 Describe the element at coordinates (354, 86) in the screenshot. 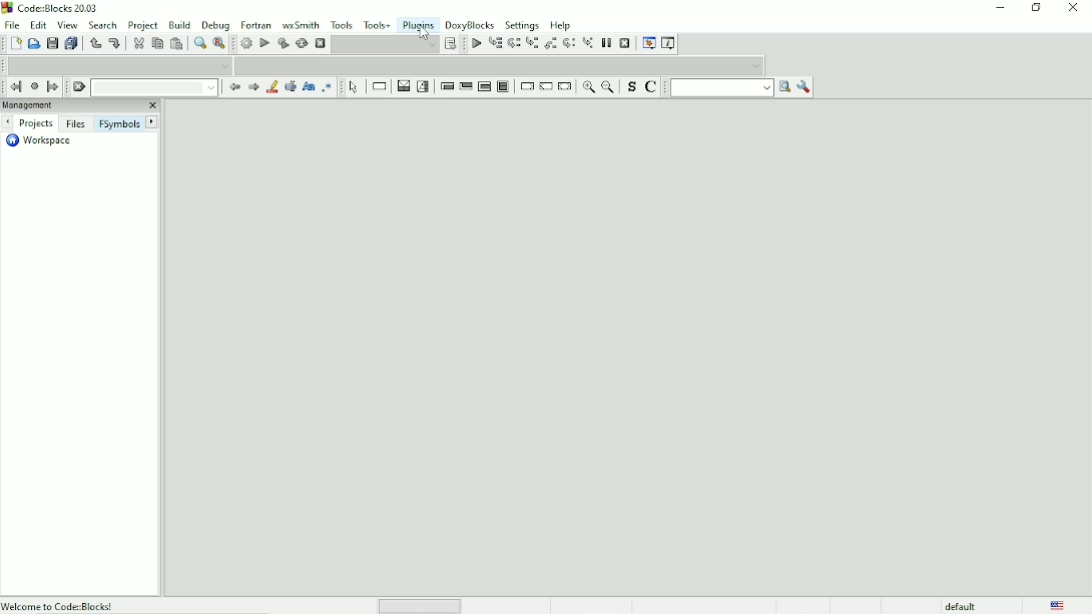

I see `Select` at that location.